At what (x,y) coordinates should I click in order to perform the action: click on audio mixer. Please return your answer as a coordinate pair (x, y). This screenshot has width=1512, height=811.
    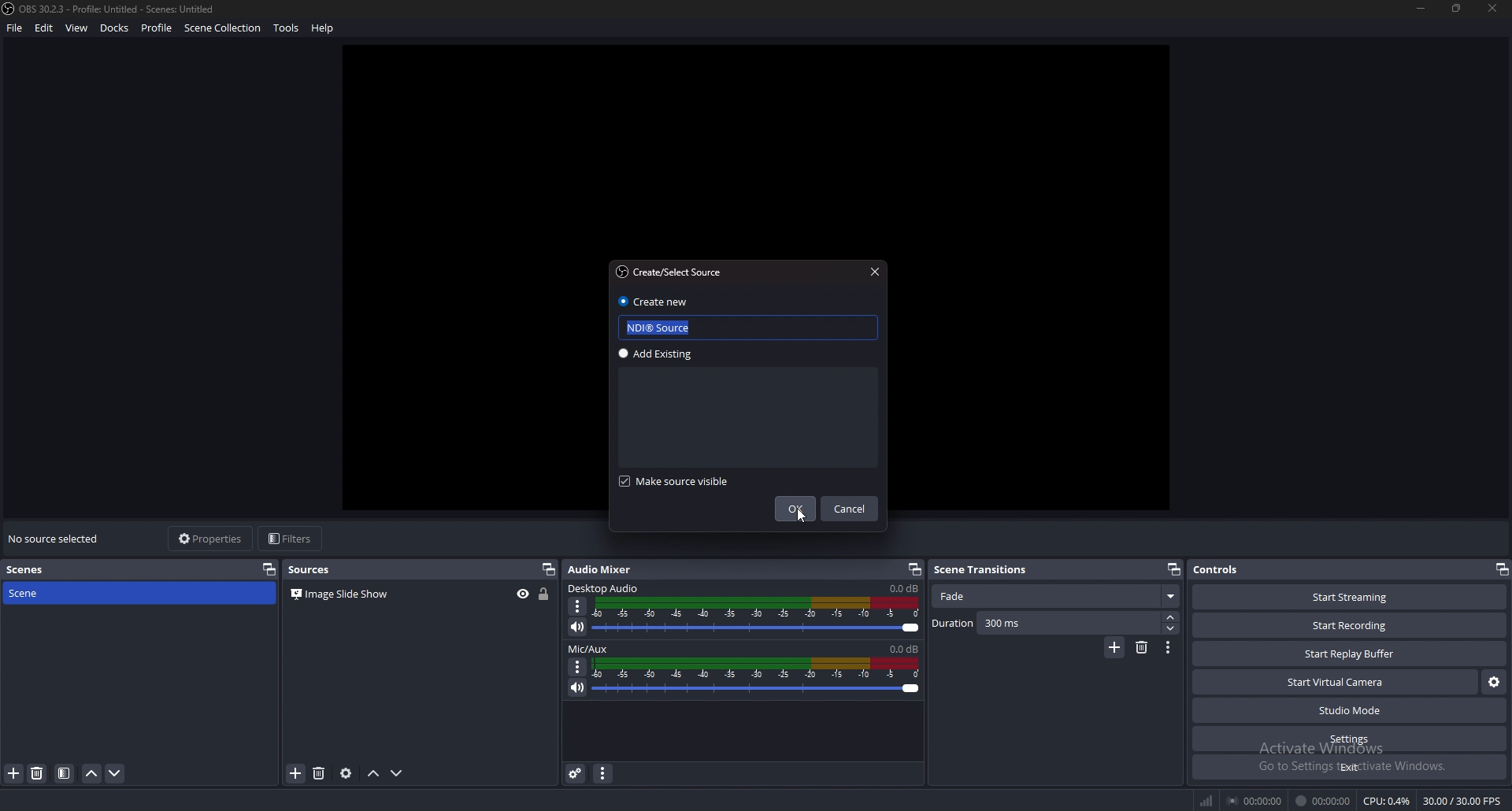
    Looking at the image, I should click on (608, 569).